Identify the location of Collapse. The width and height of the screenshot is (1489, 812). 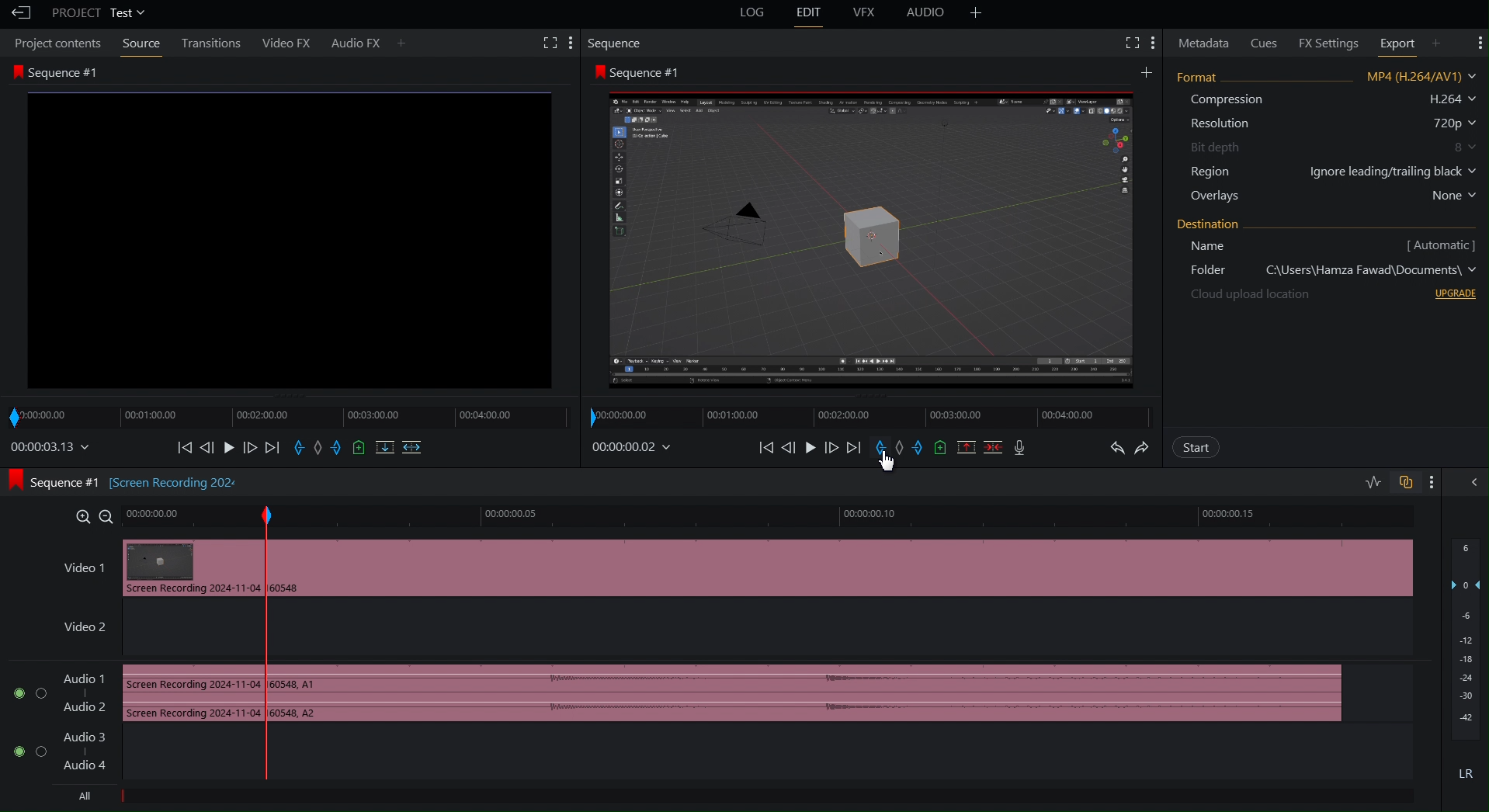
(1474, 483).